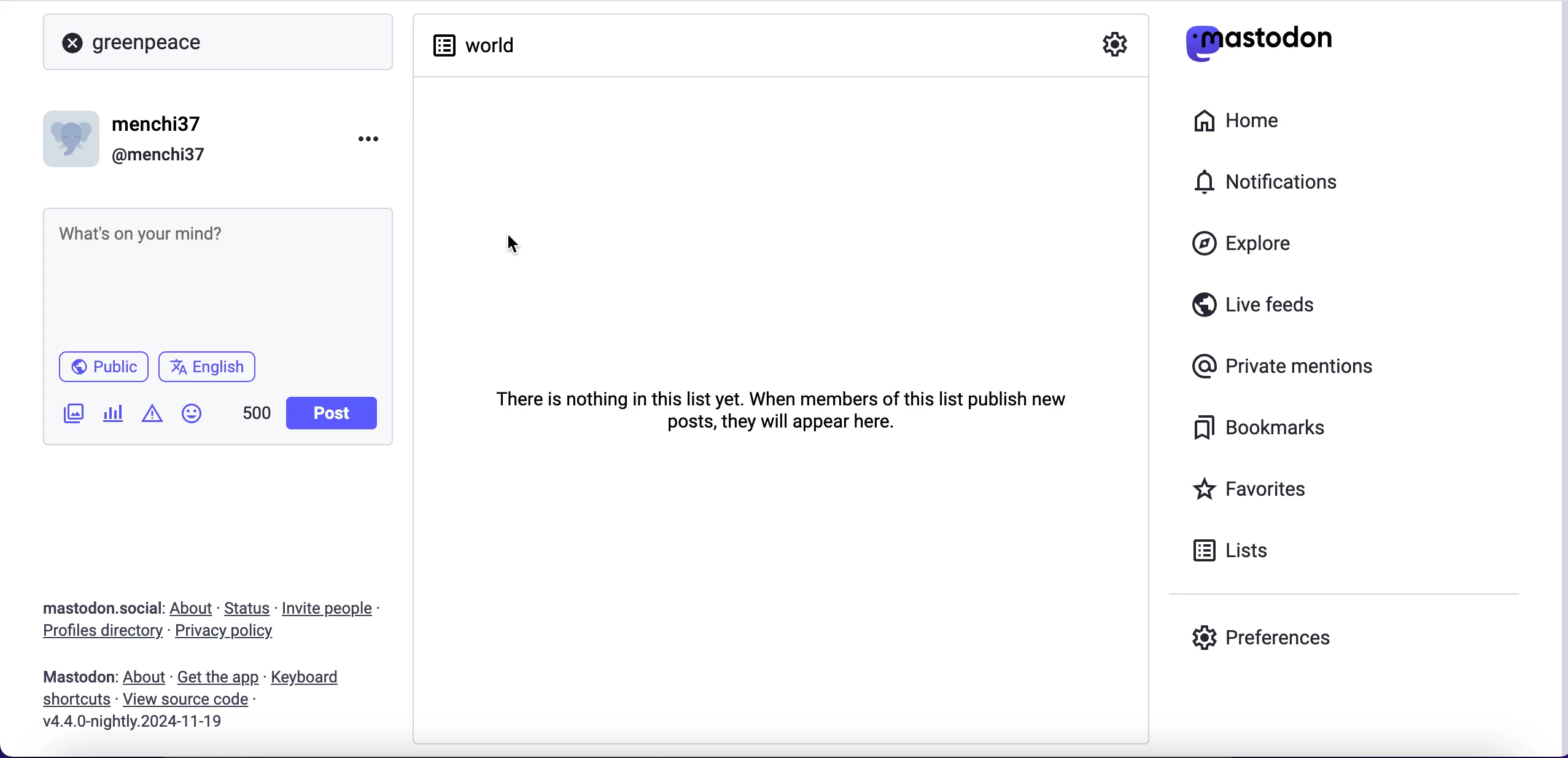 The image size is (1568, 758). I want to click on preferences, so click(1262, 637).